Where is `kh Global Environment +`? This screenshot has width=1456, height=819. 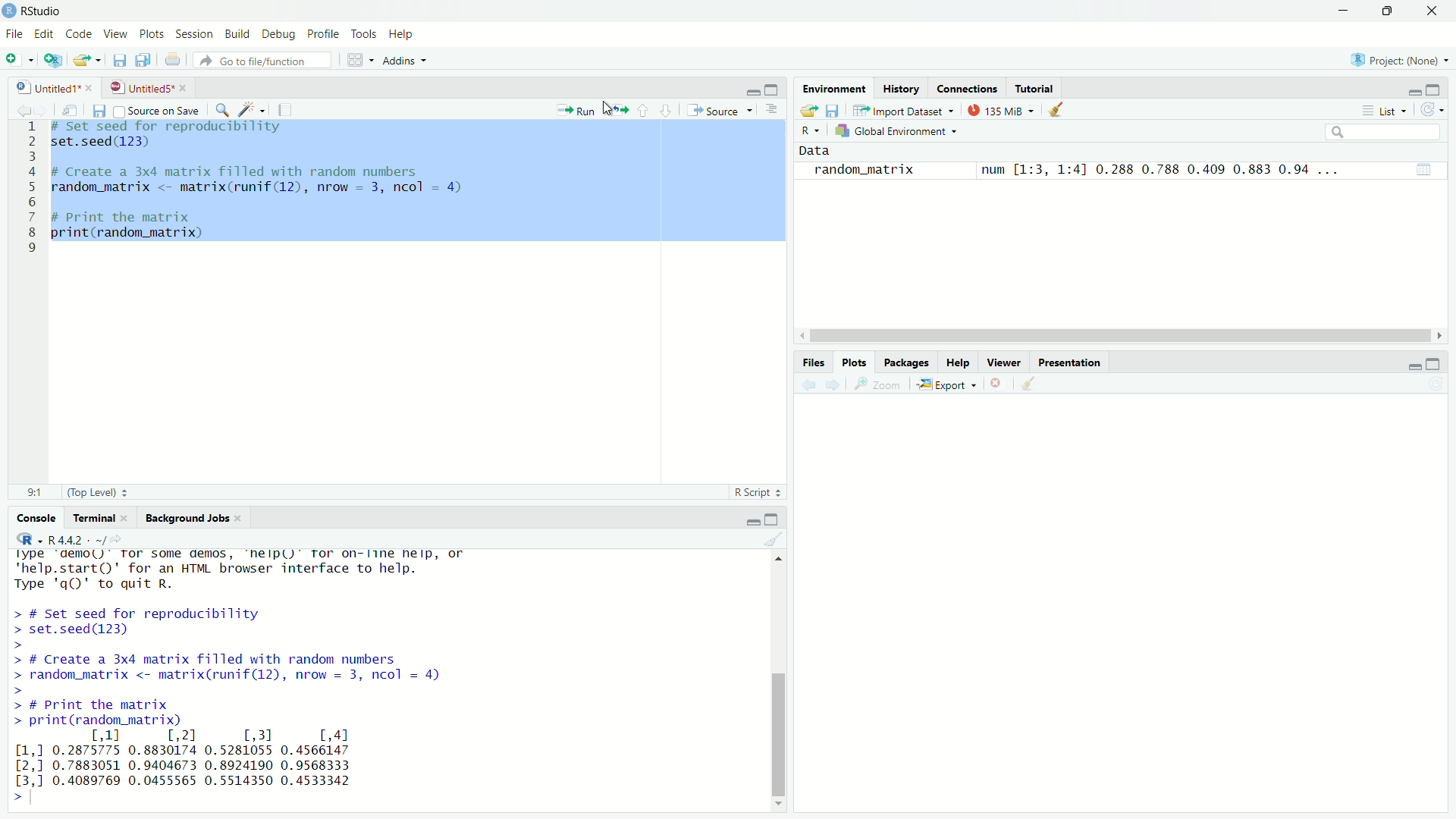 kh Global Environment + is located at coordinates (898, 130).